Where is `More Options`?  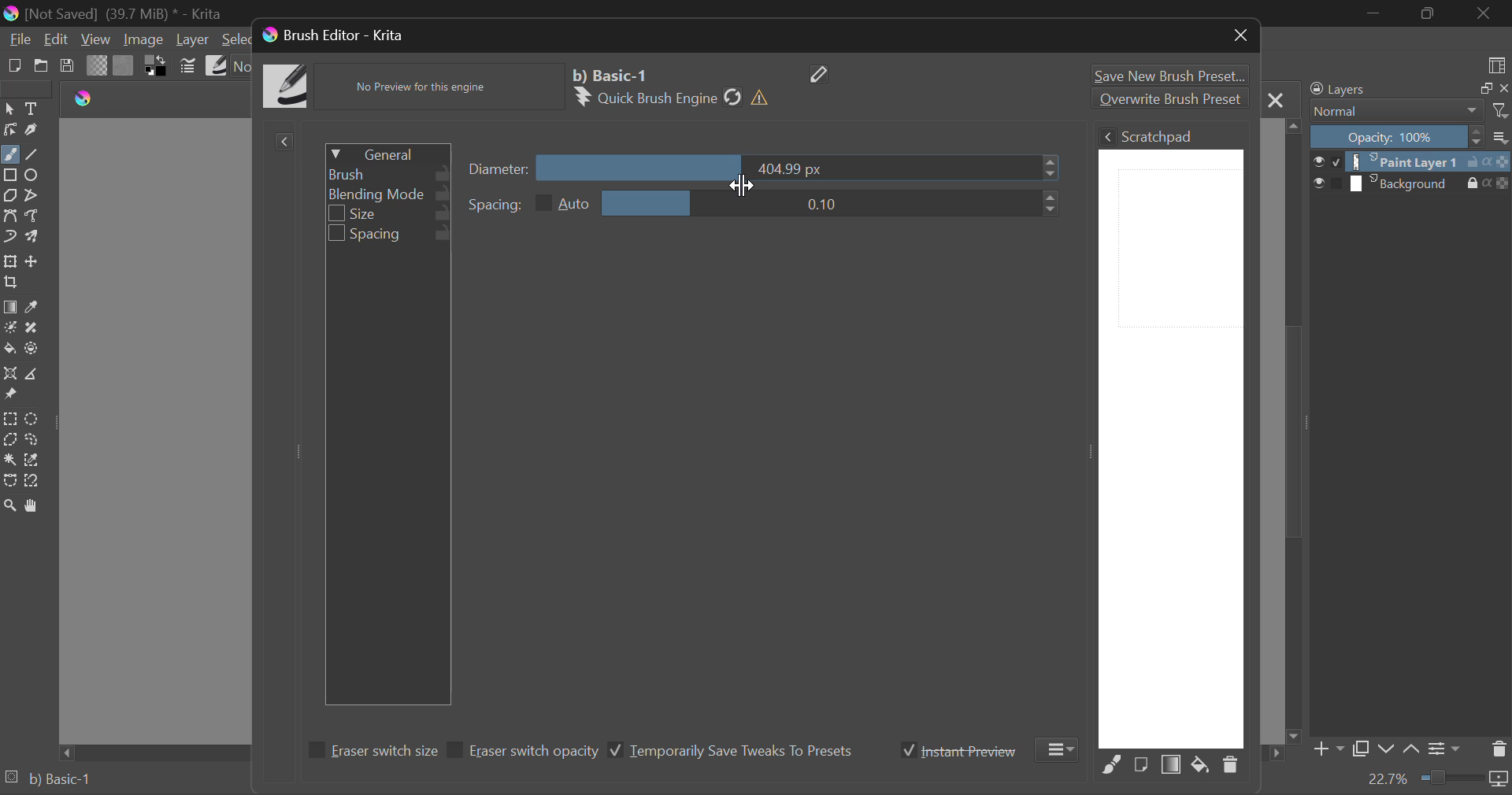 More Options is located at coordinates (1060, 749).